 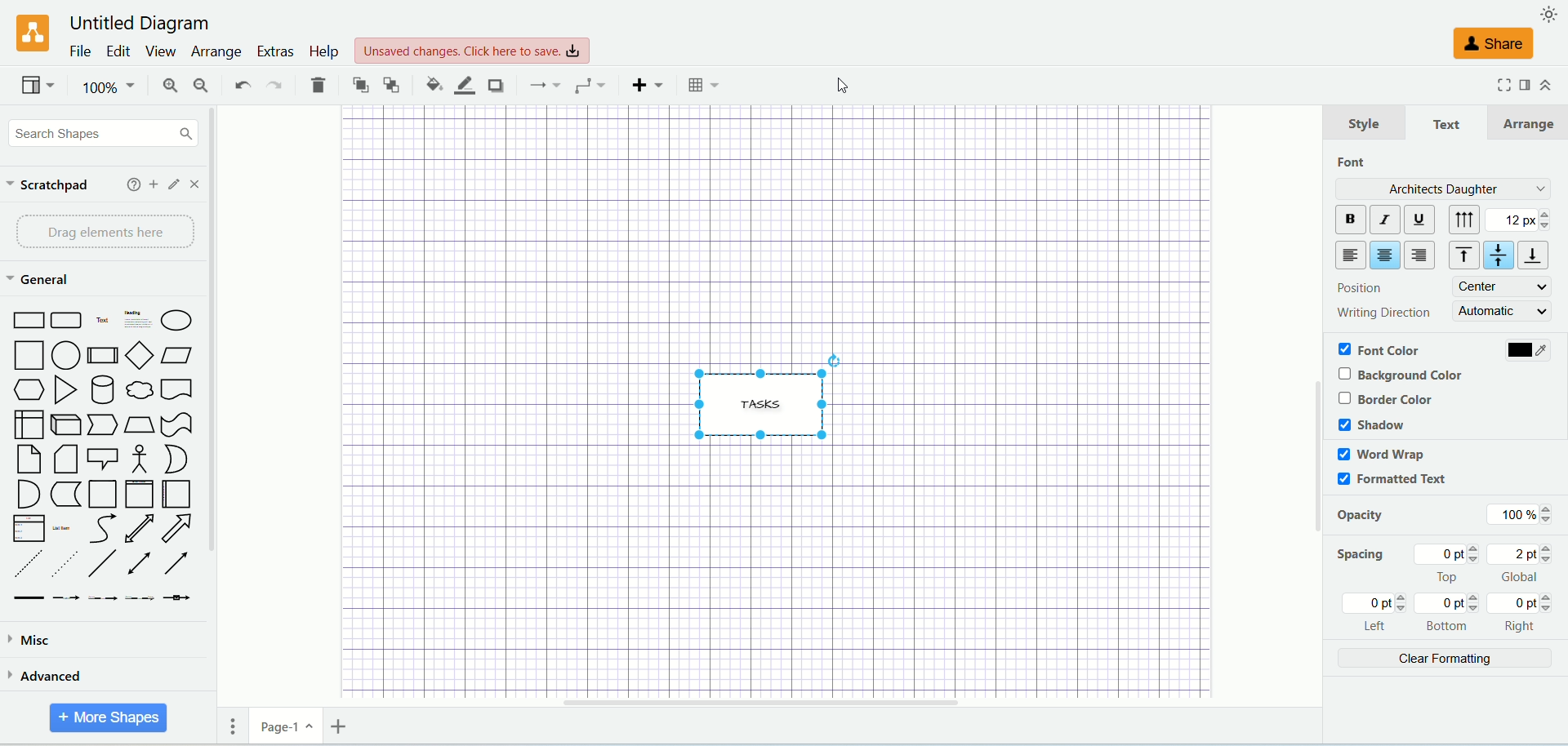 What do you see at coordinates (1381, 454) in the screenshot?
I see `word wrap` at bounding box center [1381, 454].